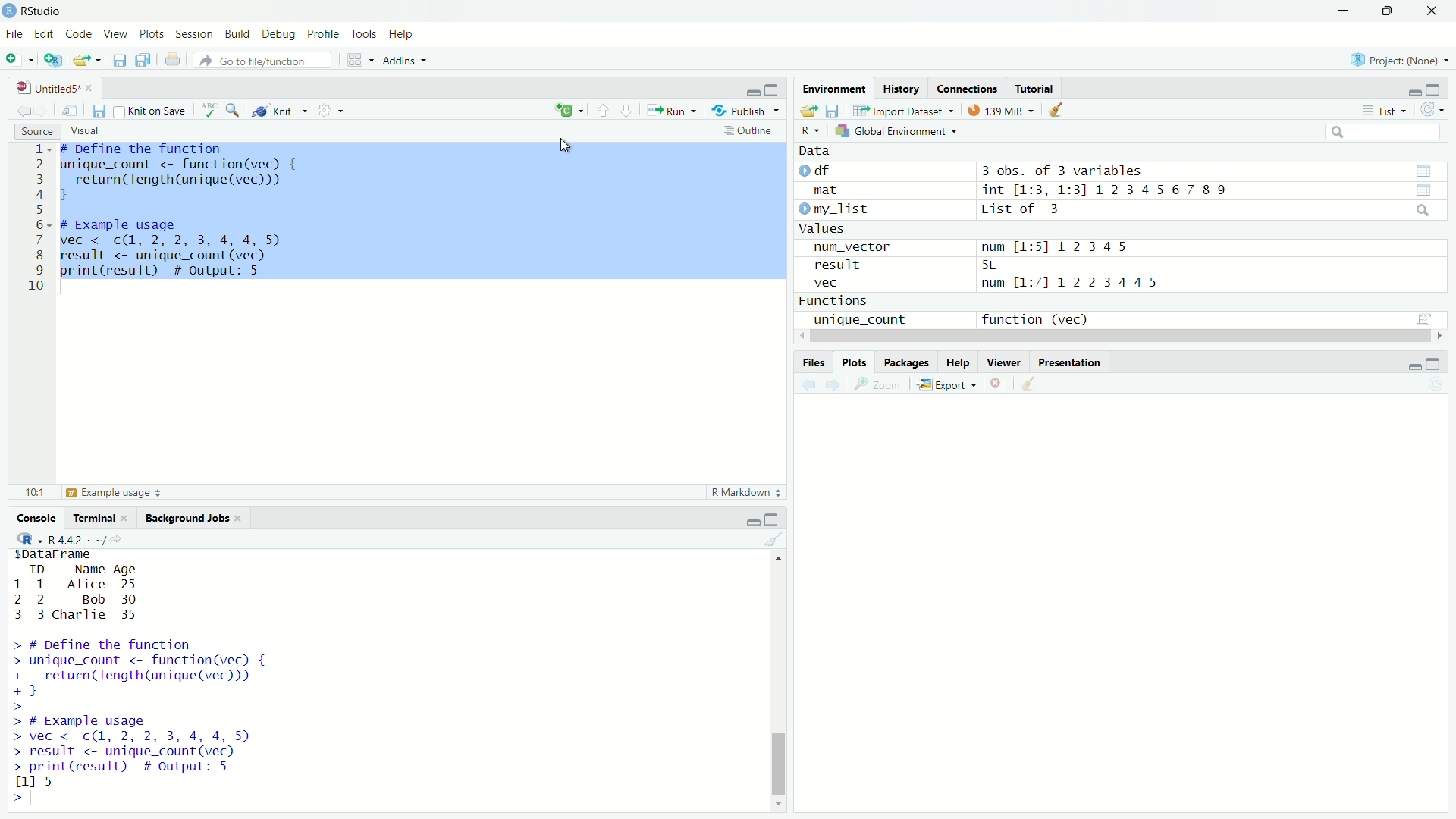 The image size is (1456, 819). Describe the element at coordinates (55, 60) in the screenshot. I see `create a project` at that location.